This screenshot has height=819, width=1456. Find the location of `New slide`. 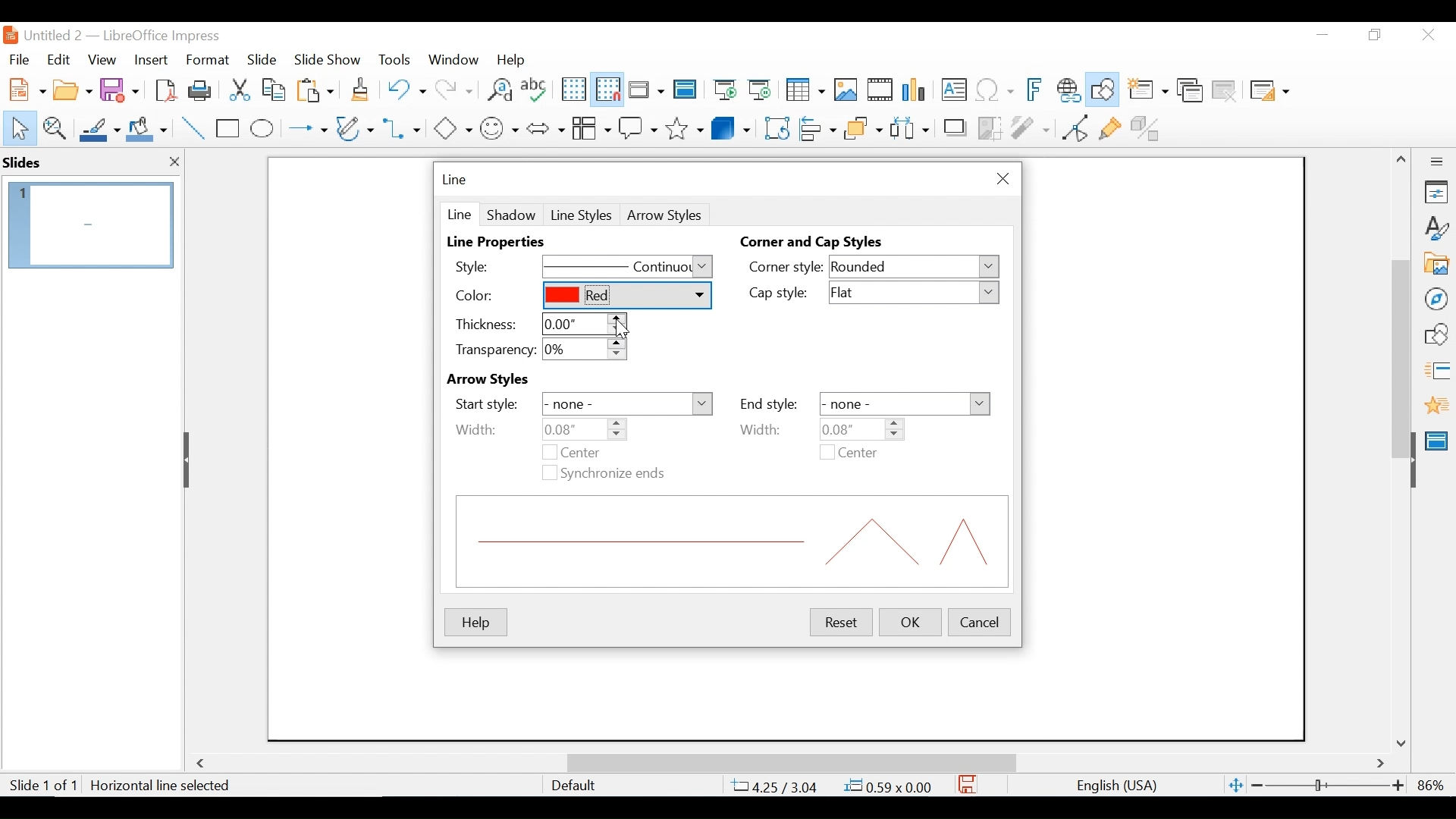

New slide is located at coordinates (1147, 91).